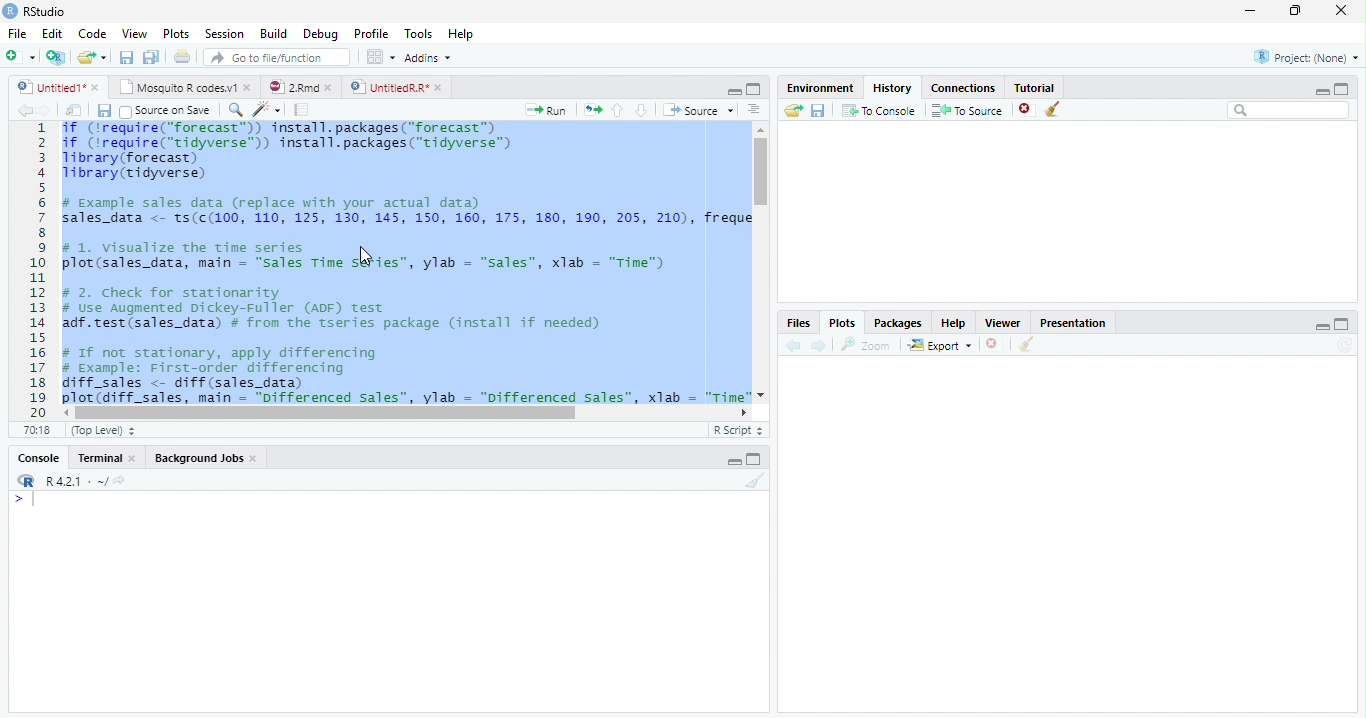 This screenshot has height=718, width=1366. I want to click on Maximize, so click(1342, 325).